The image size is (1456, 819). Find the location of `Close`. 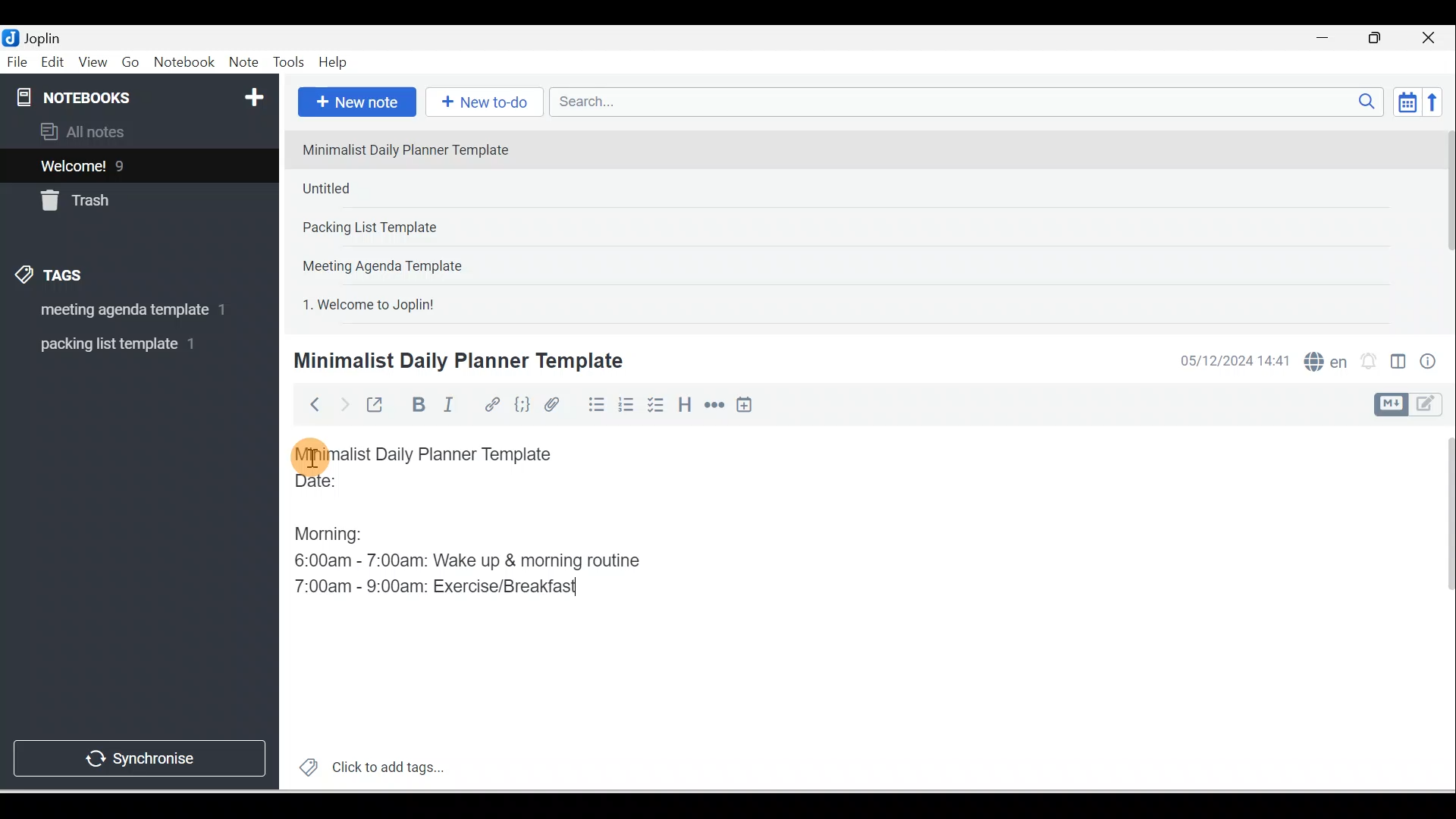

Close is located at coordinates (1432, 38).